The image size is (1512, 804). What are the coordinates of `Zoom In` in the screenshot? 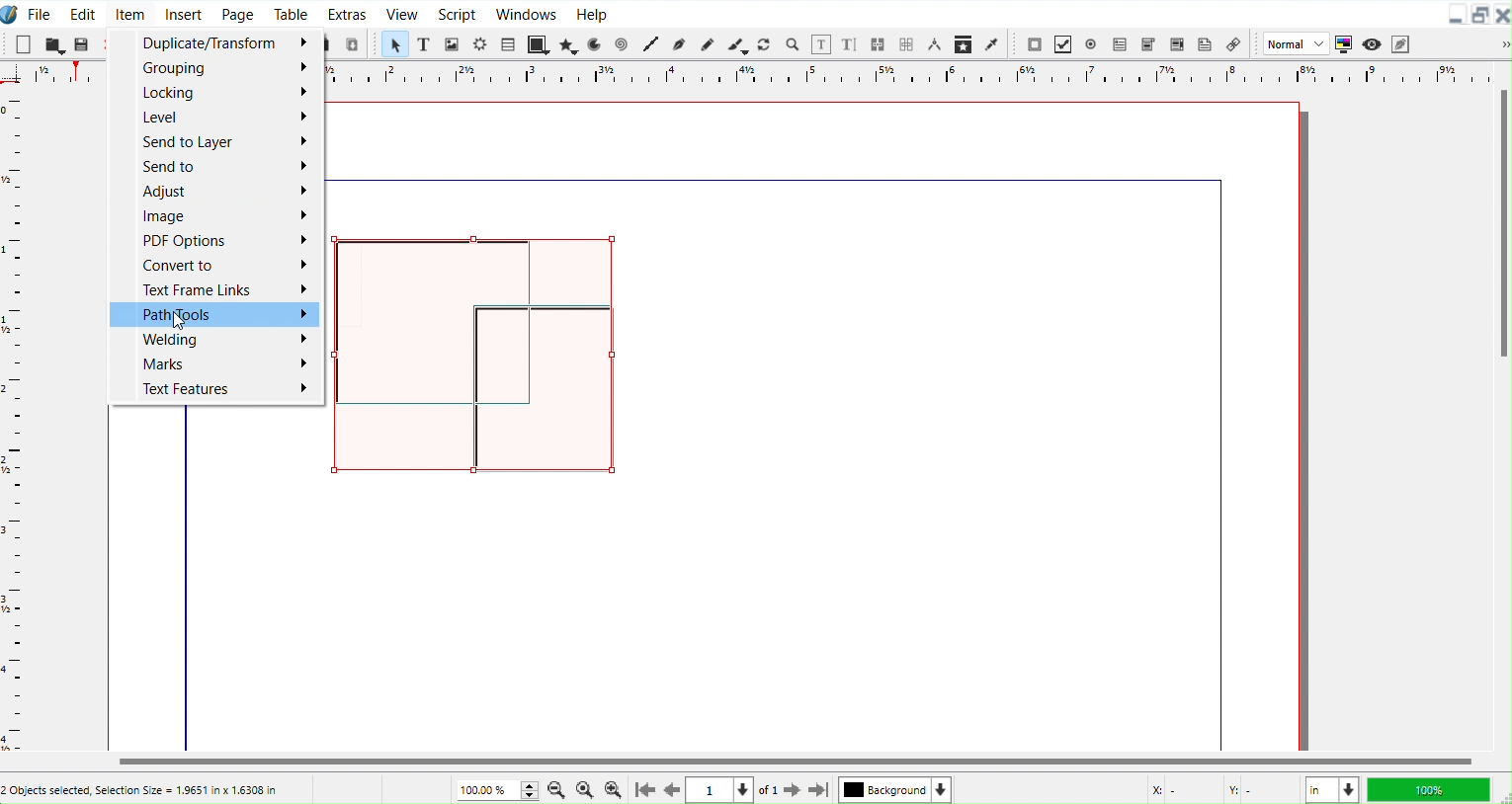 It's located at (615, 790).